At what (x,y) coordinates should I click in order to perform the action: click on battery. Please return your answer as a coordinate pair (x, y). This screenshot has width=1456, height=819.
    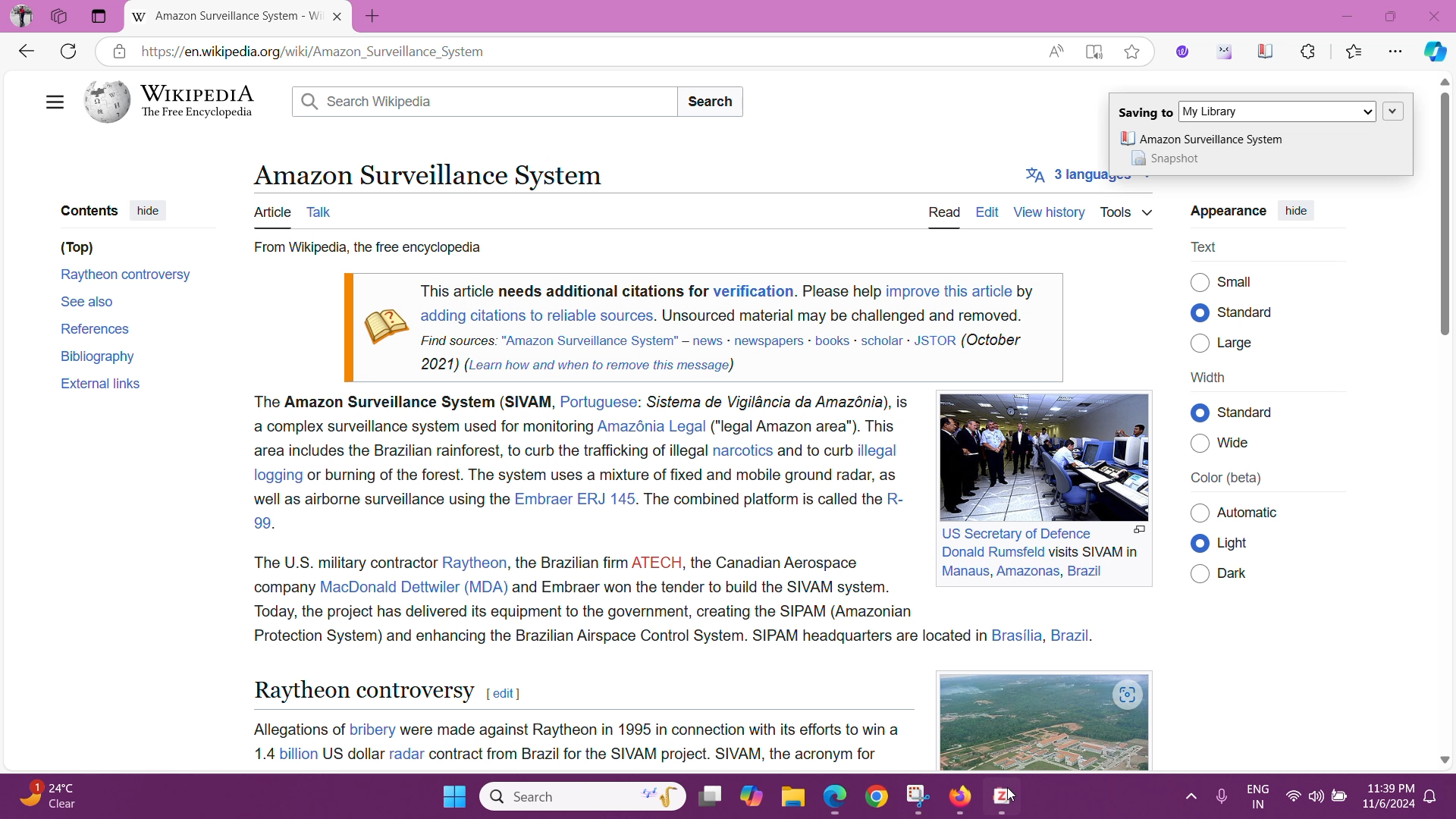
    Looking at the image, I should click on (1337, 796).